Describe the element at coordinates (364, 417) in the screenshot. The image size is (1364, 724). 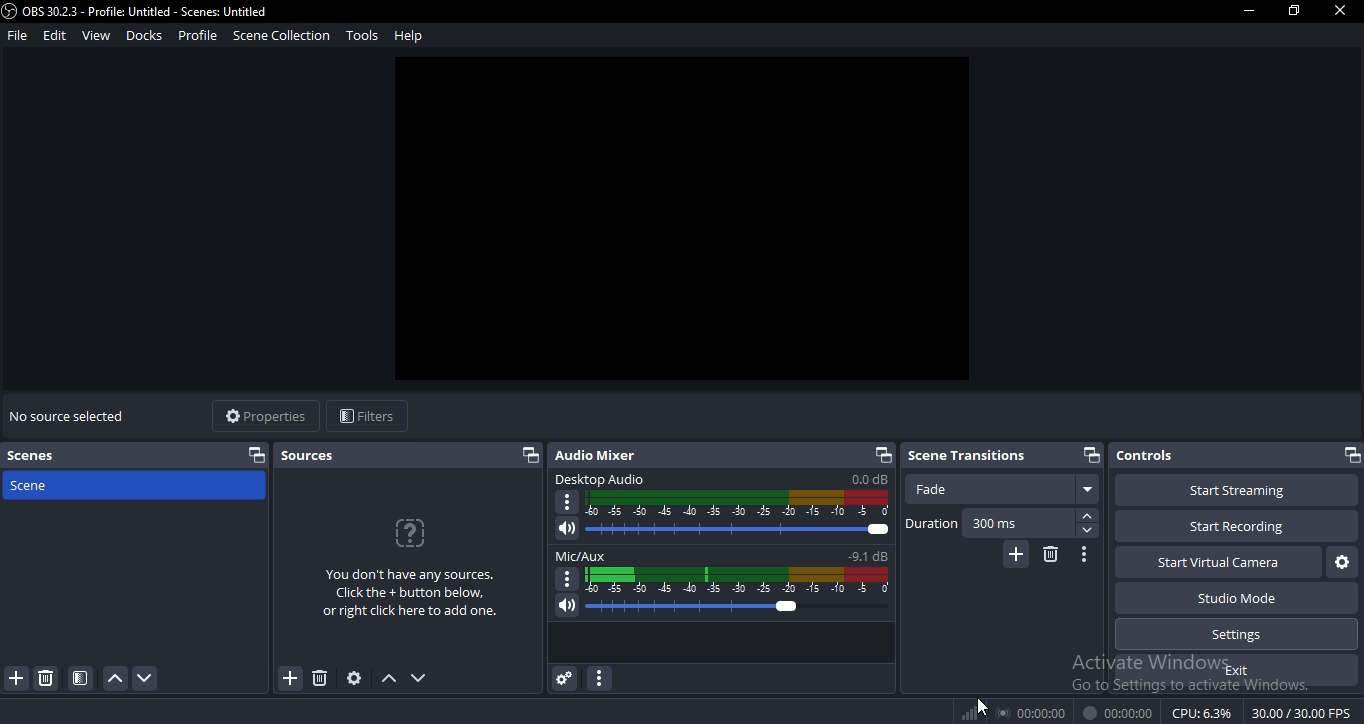
I see `filters` at that location.